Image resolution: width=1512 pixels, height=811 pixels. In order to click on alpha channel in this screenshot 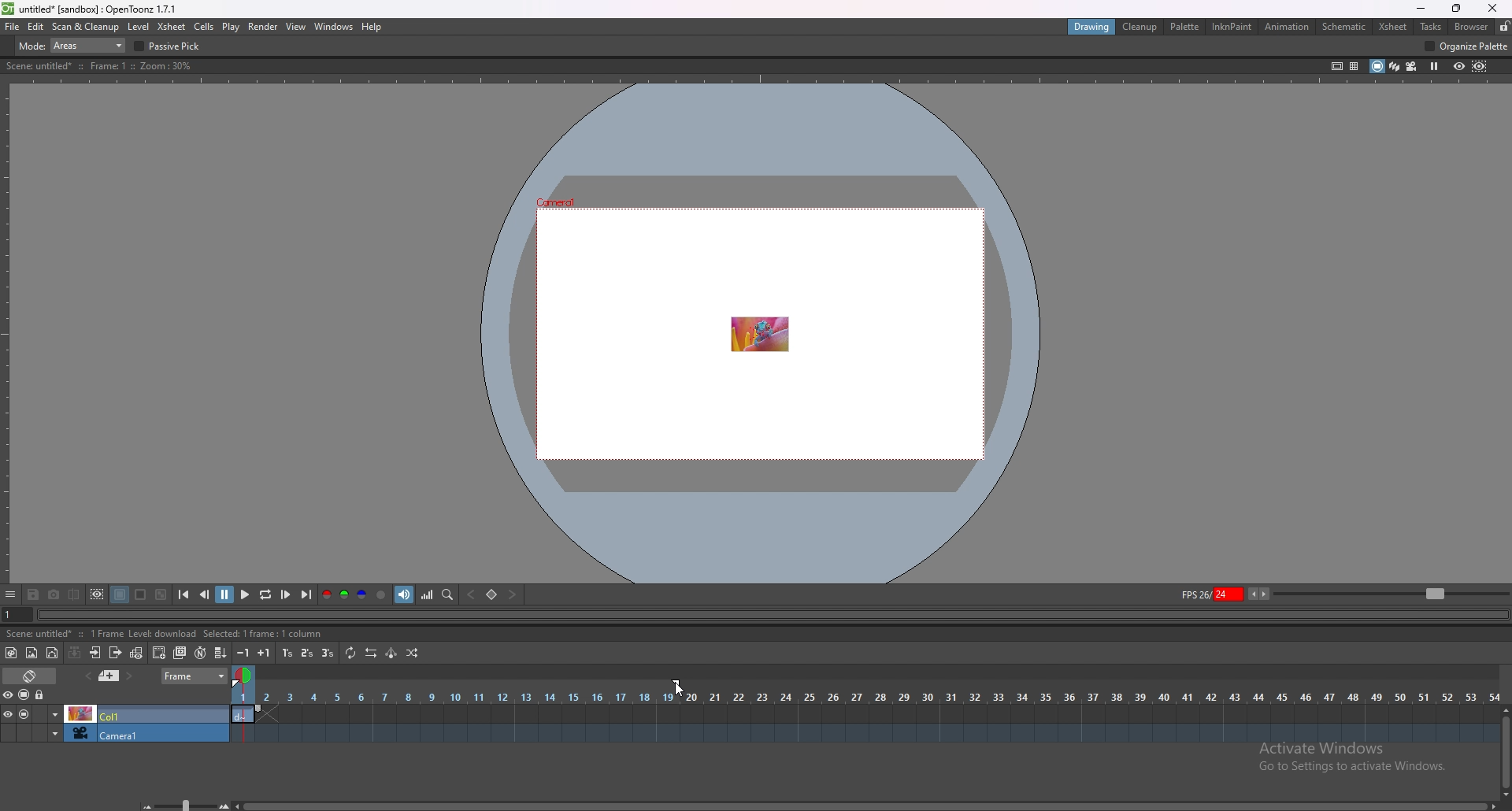, I will do `click(382, 594)`.